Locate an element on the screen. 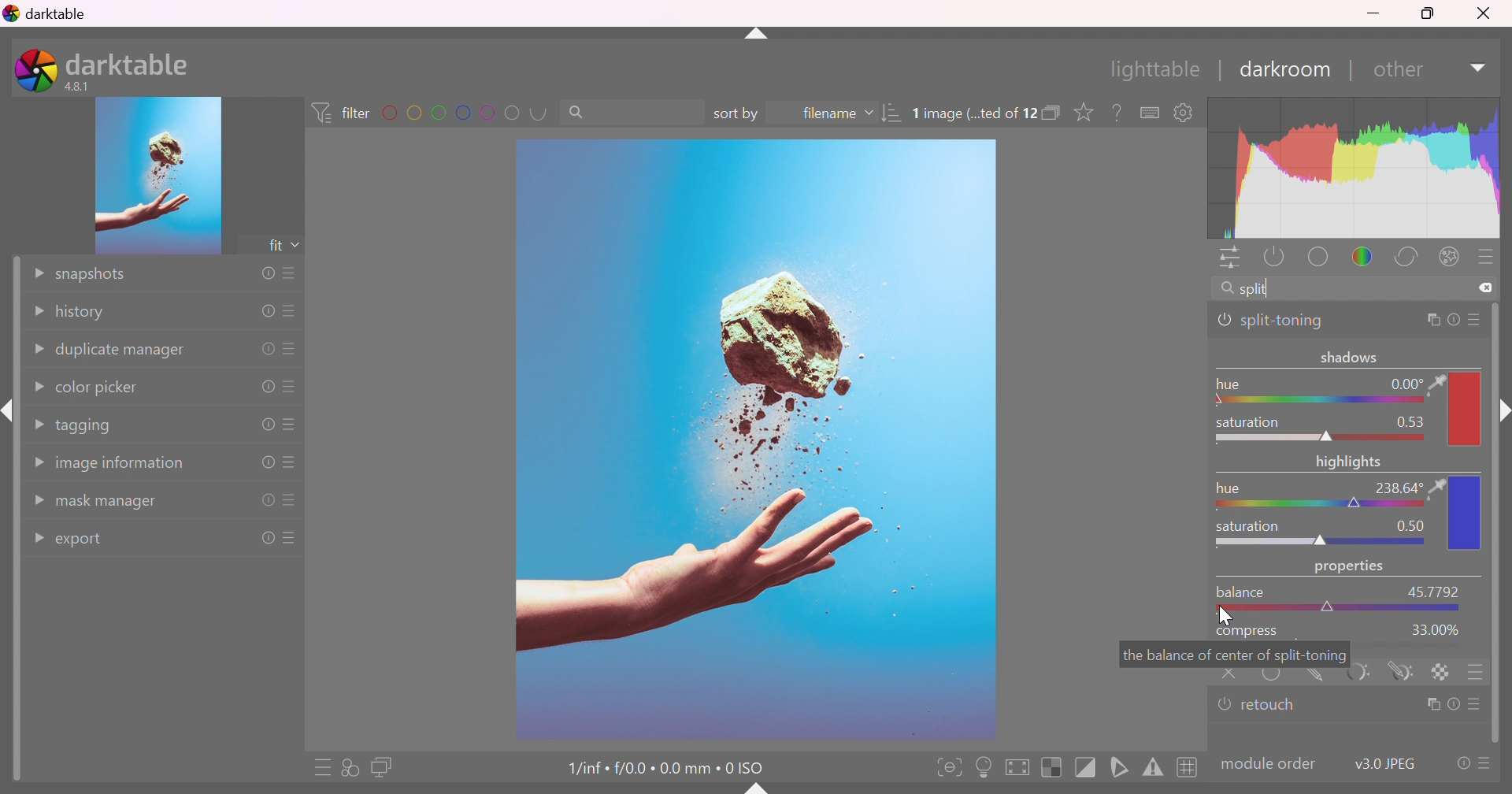 The width and height of the screenshot is (1512, 794). 45.7792 is located at coordinates (1437, 592).